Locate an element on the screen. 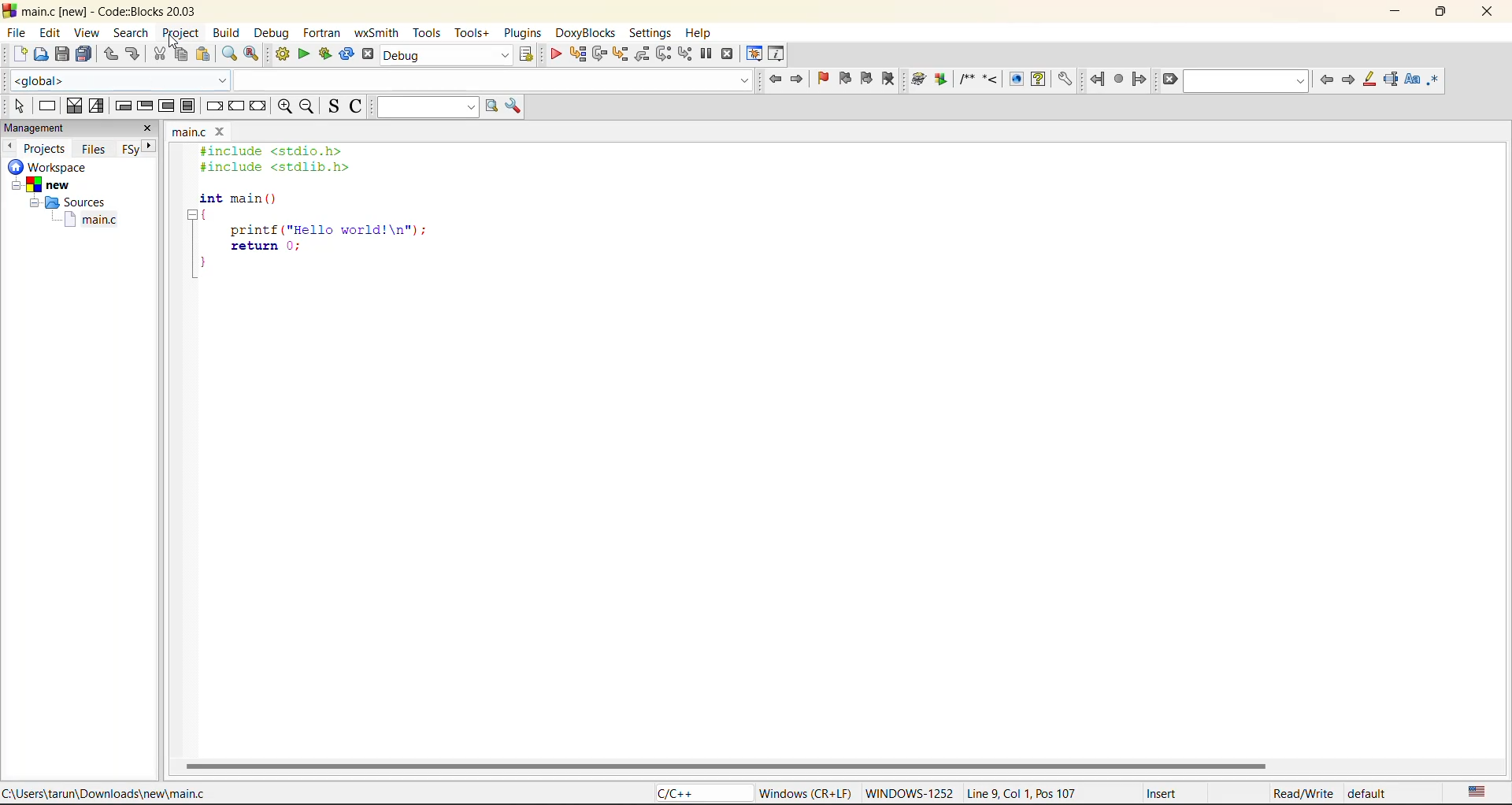 The image size is (1512, 805). entry condition loop is located at coordinates (122, 107).